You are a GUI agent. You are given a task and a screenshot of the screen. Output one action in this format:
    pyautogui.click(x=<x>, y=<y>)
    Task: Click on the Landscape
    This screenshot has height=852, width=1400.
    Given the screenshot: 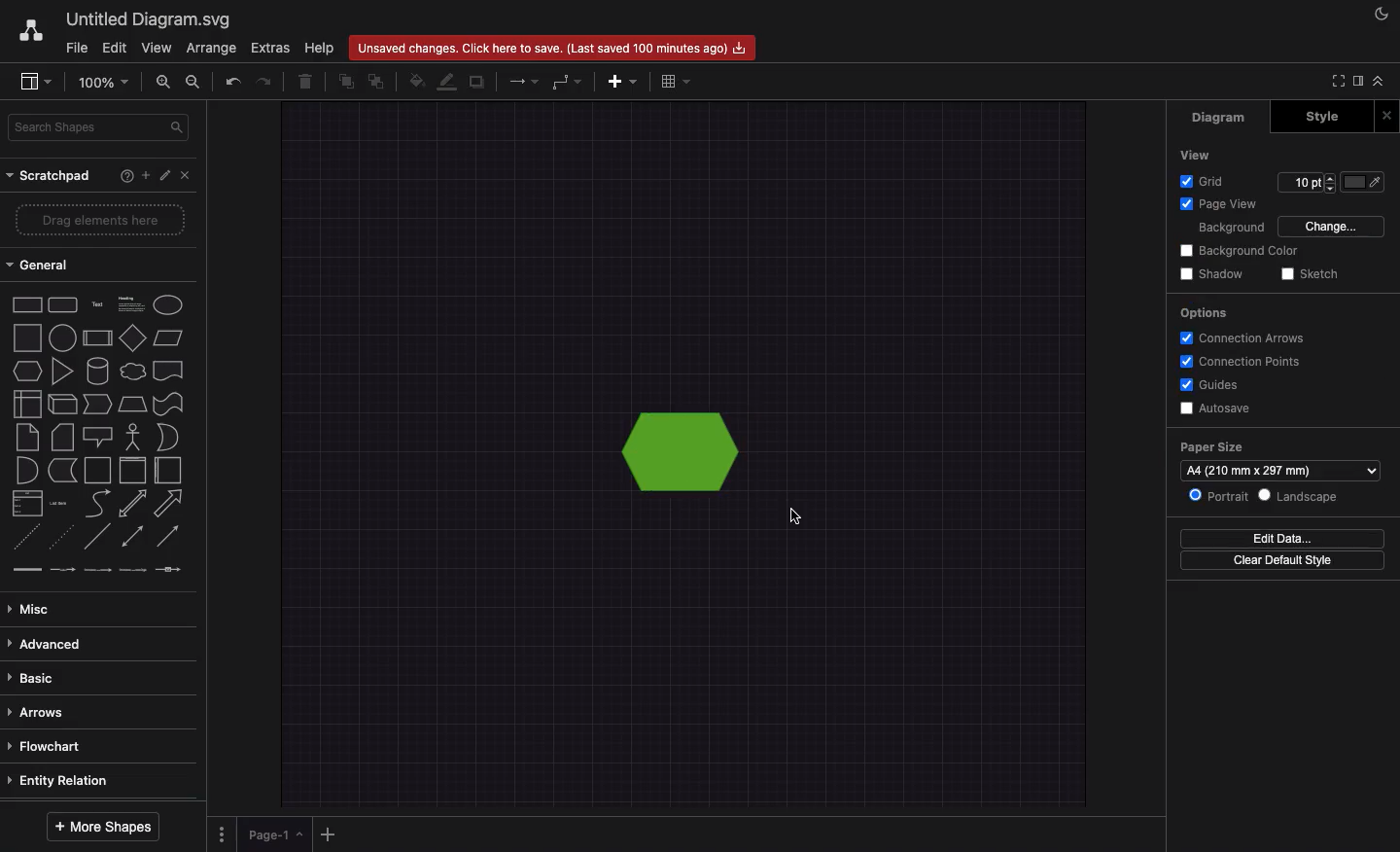 What is the action you would take?
    pyautogui.click(x=1310, y=496)
    